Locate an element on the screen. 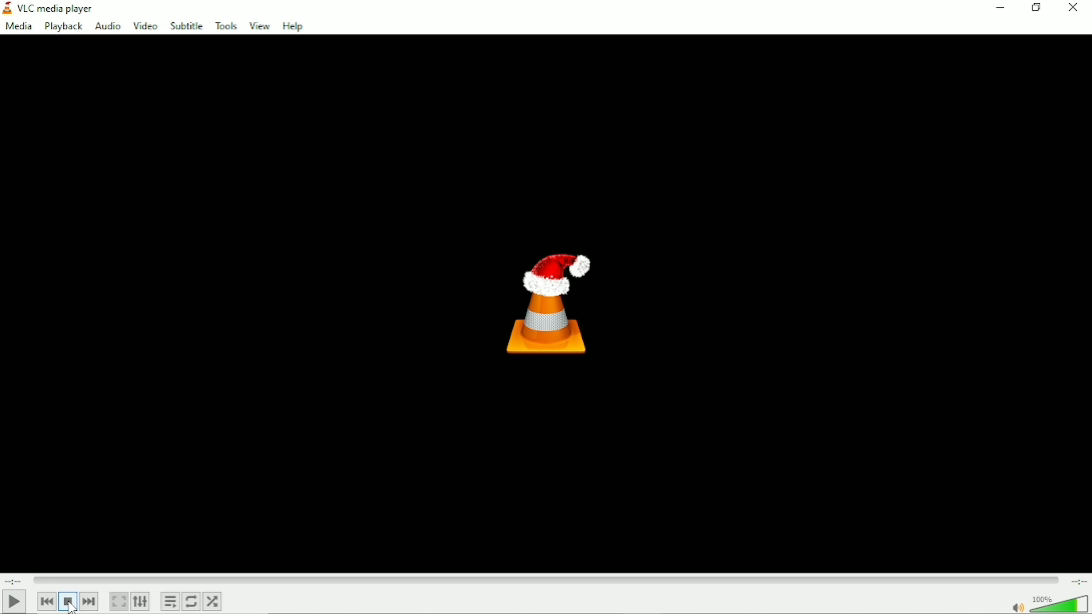 The height and width of the screenshot is (614, 1092). Audio is located at coordinates (108, 27).